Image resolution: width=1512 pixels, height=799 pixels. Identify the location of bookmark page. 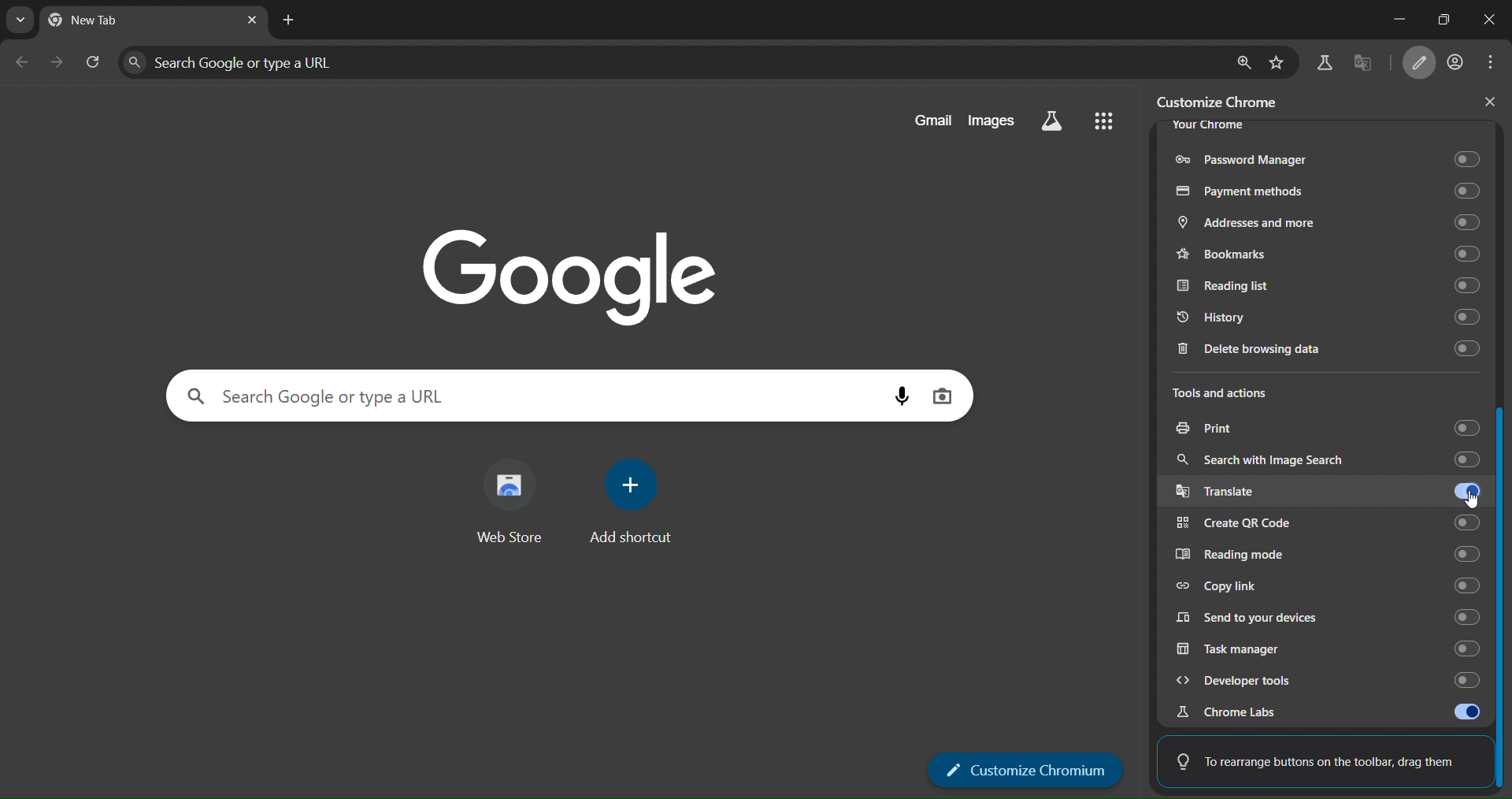
(1276, 59).